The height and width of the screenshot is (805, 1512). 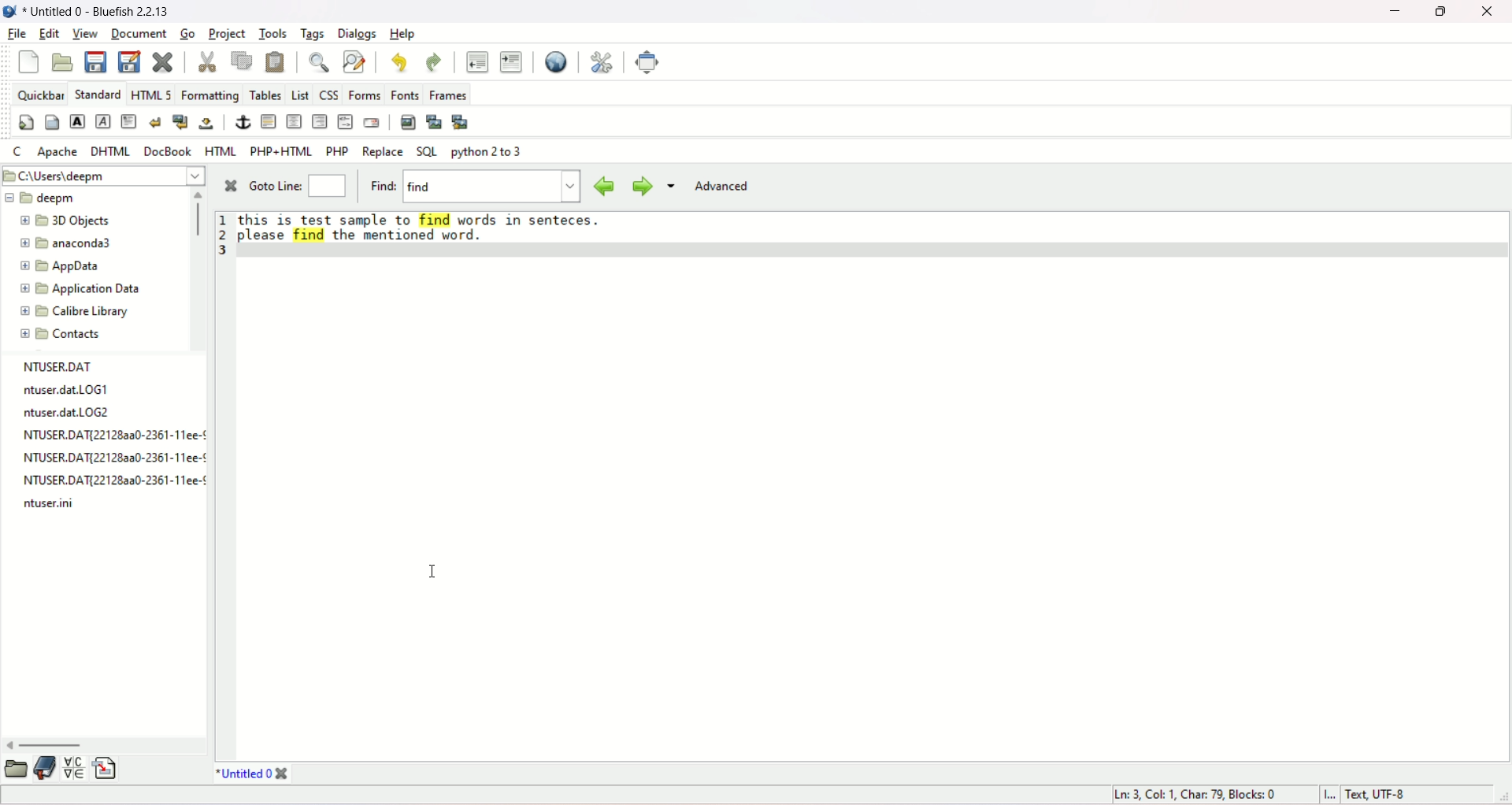 I want to click on advanced find and replace, so click(x=353, y=60).